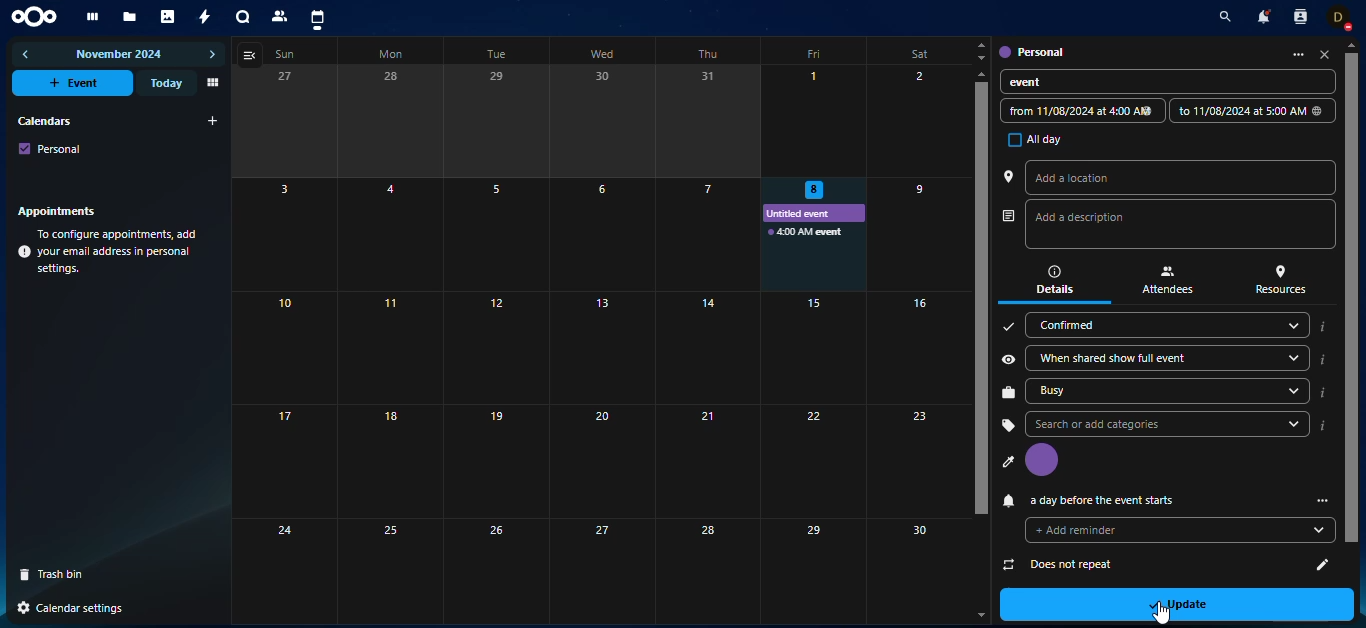 This screenshot has width=1366, height=628. I want to click on search, so click(1145, 425).